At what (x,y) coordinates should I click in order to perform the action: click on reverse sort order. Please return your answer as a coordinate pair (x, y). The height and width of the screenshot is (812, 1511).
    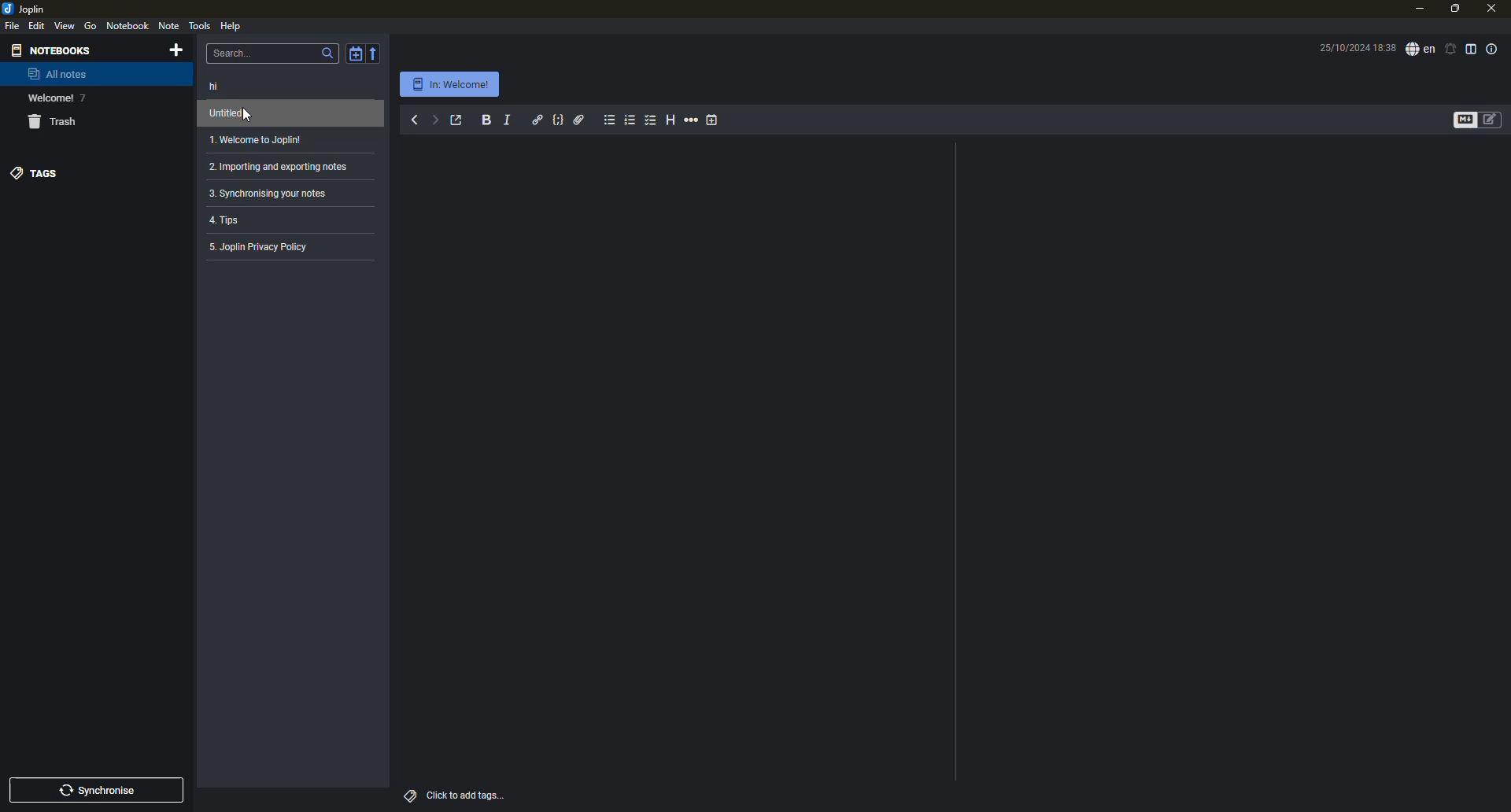
    Looking at the image, I should click on (376, 52).